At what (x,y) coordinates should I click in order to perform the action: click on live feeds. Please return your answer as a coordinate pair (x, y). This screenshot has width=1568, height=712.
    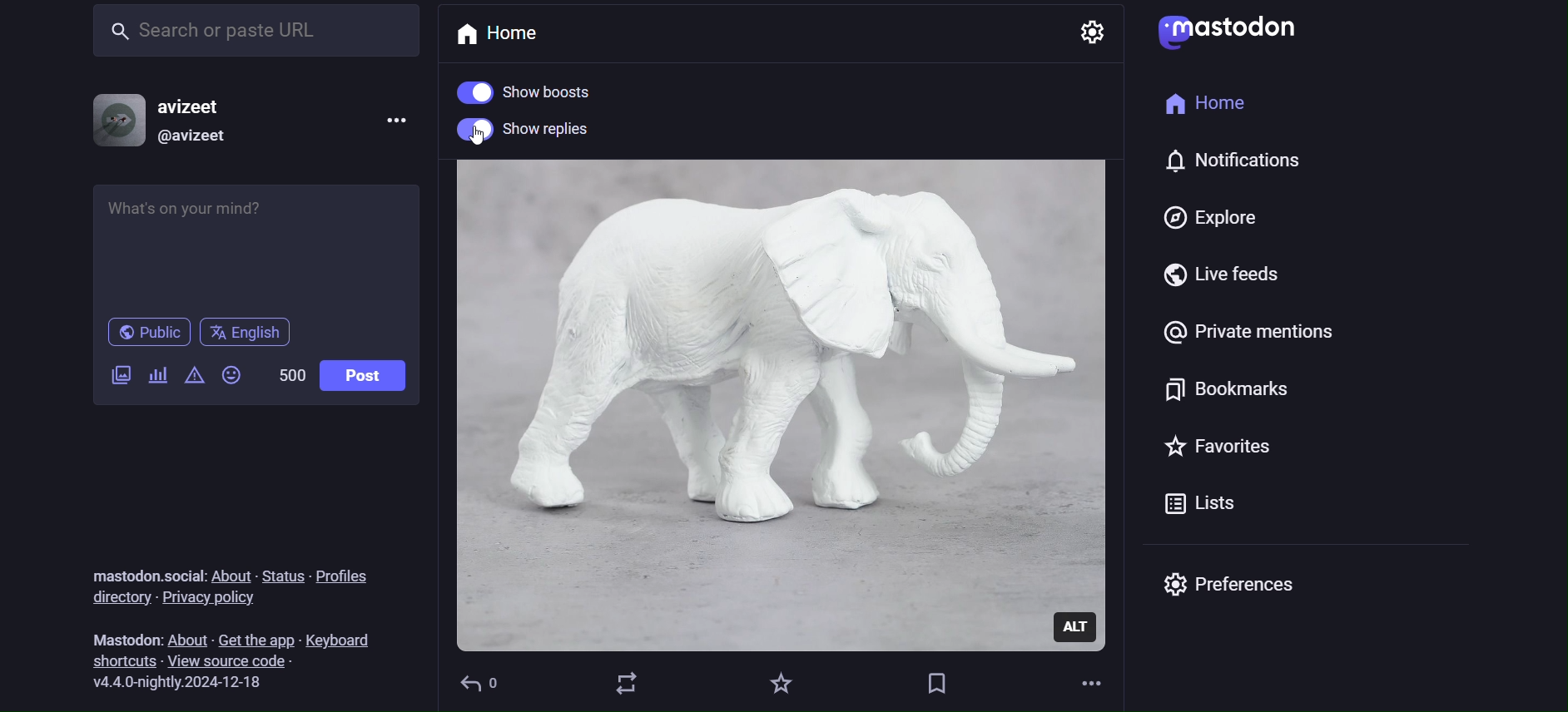
    Looking at the image, I should click on (1241, 279).